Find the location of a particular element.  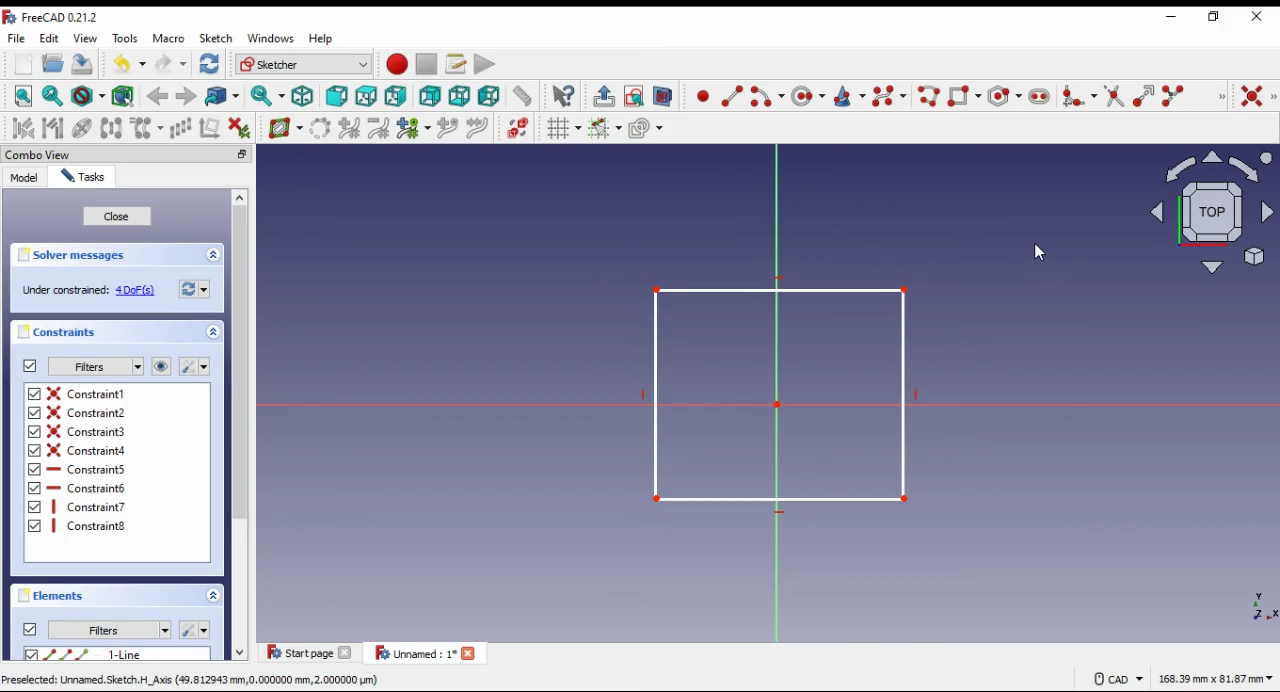

show hide internal geometry is located at coordinates (80, 128).